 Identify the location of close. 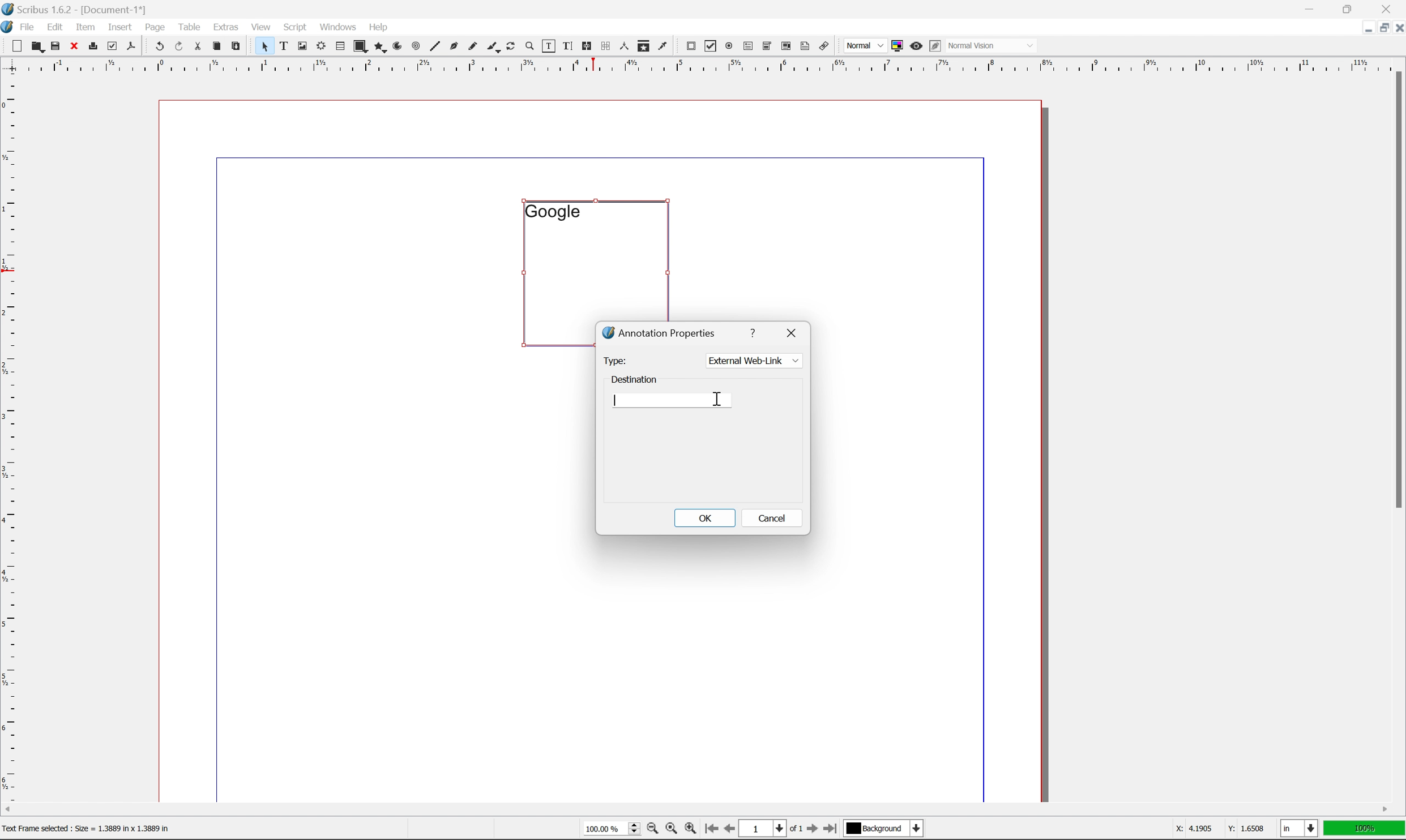
(1397, 27).